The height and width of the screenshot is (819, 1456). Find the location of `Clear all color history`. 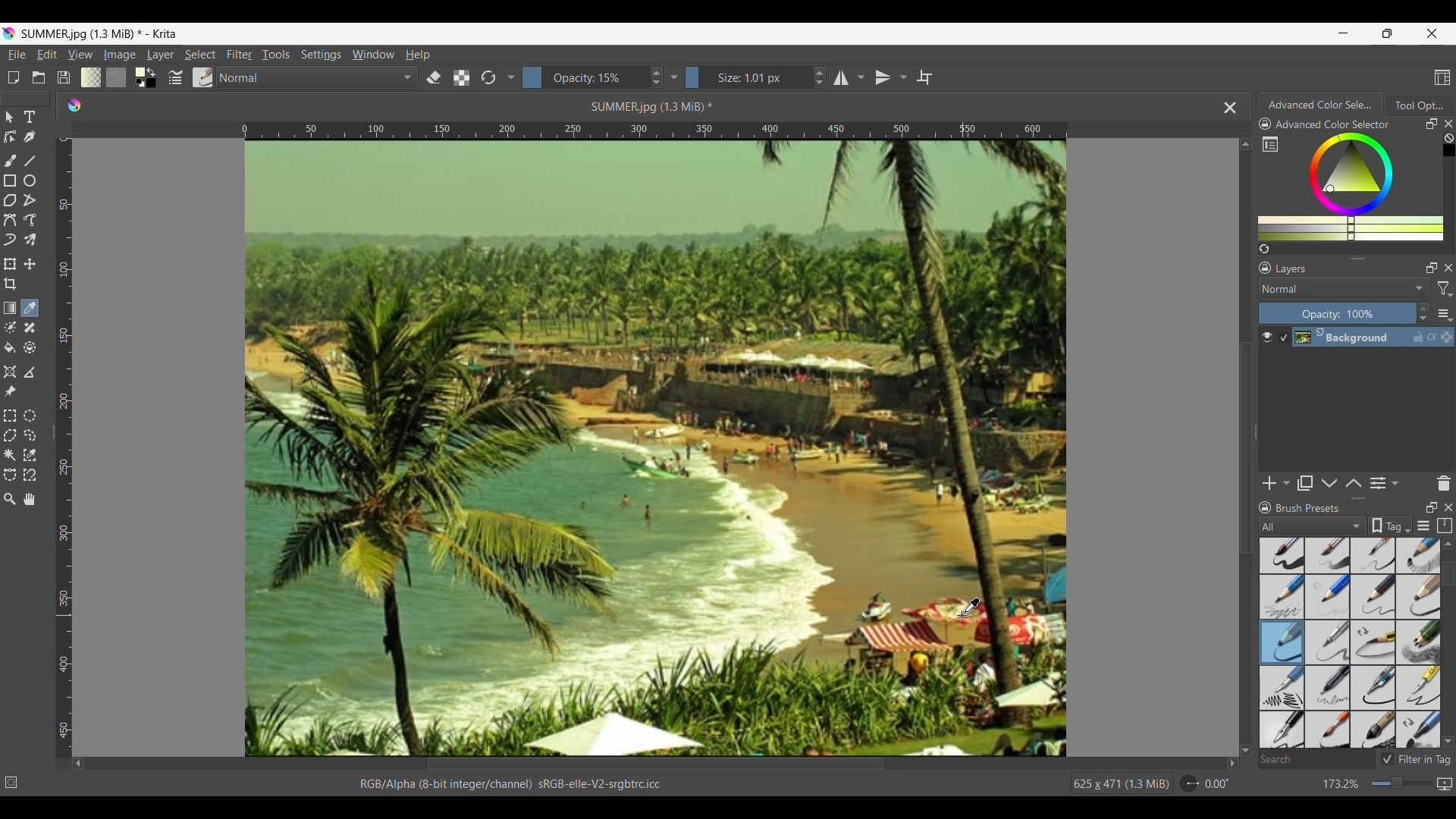

Clear all color history is located at coordinates (1448, 138).